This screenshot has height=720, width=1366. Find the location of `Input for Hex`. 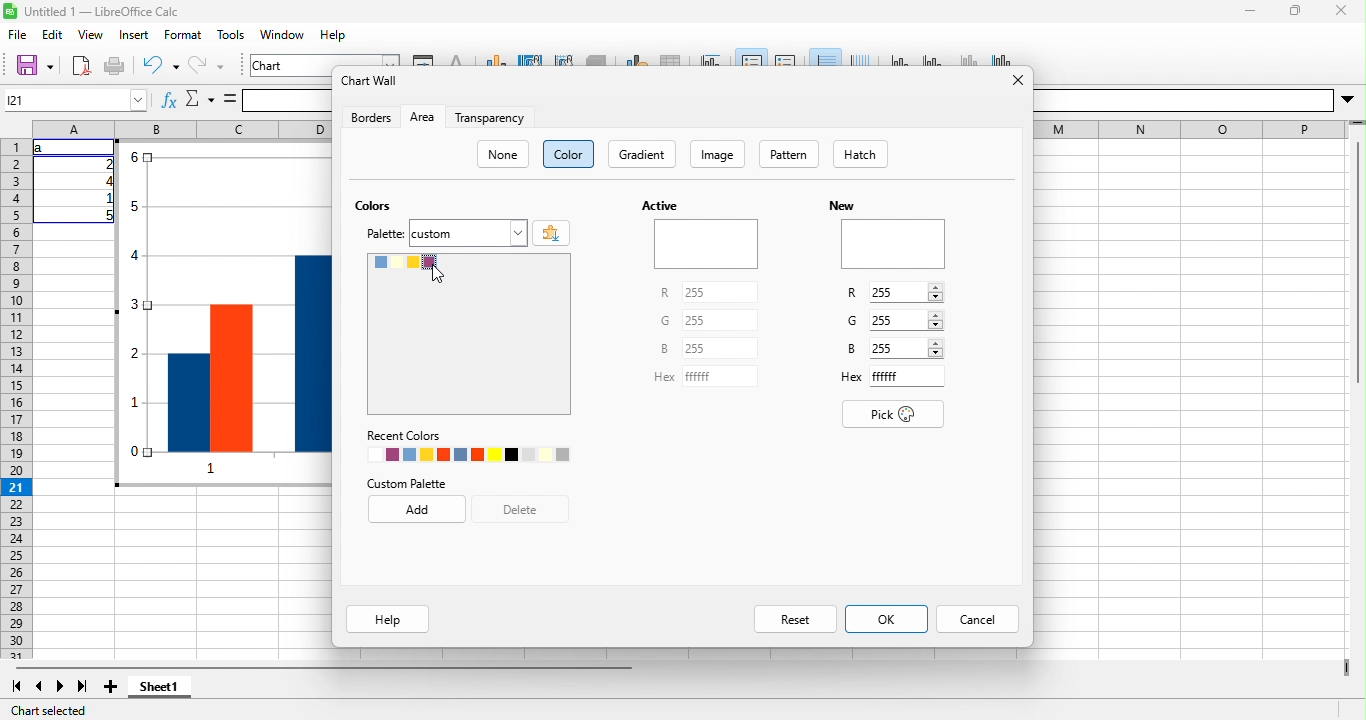

Input for Hex is located at coordinates (720, 376).